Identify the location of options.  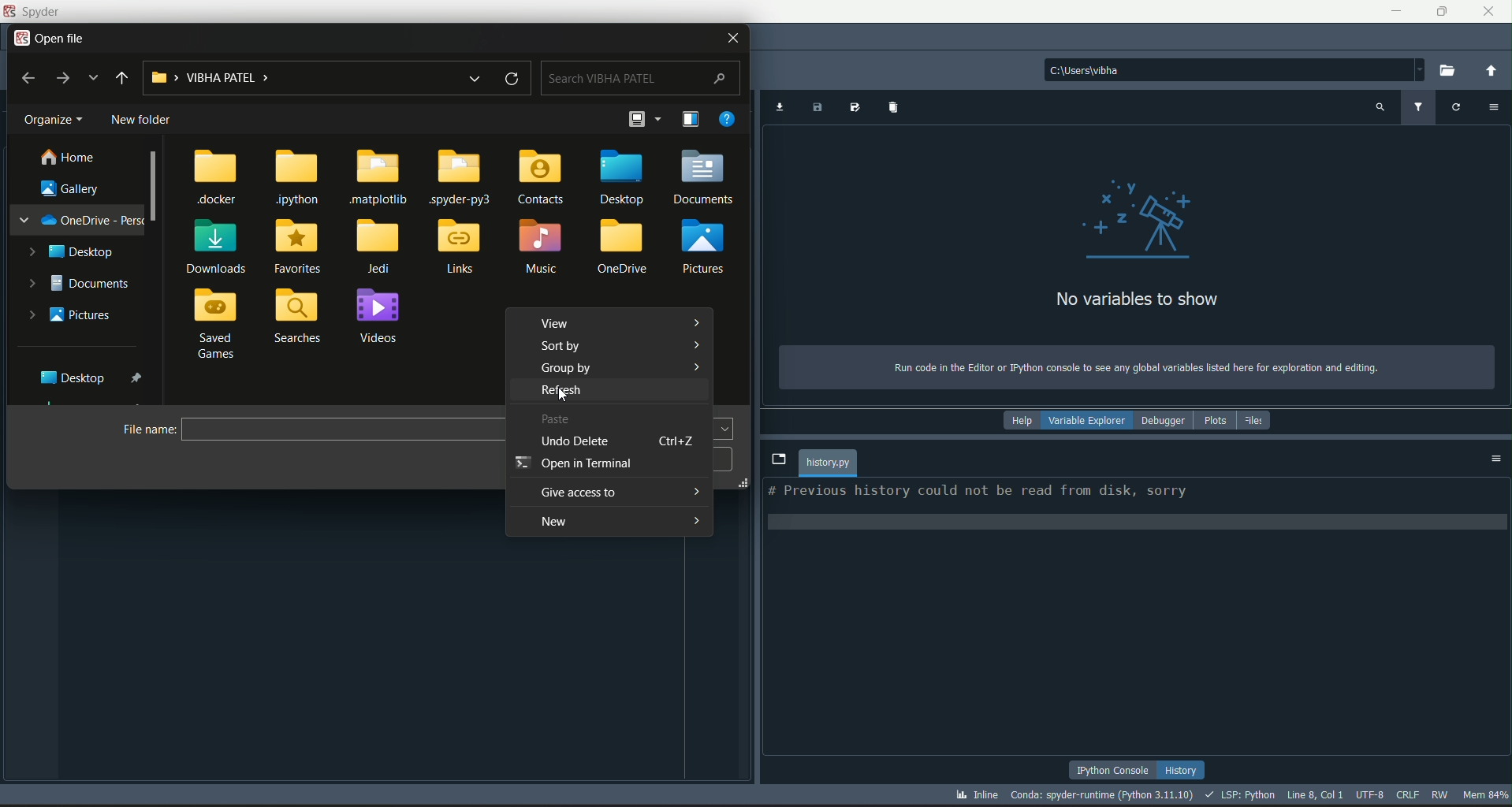
(1497, 459).